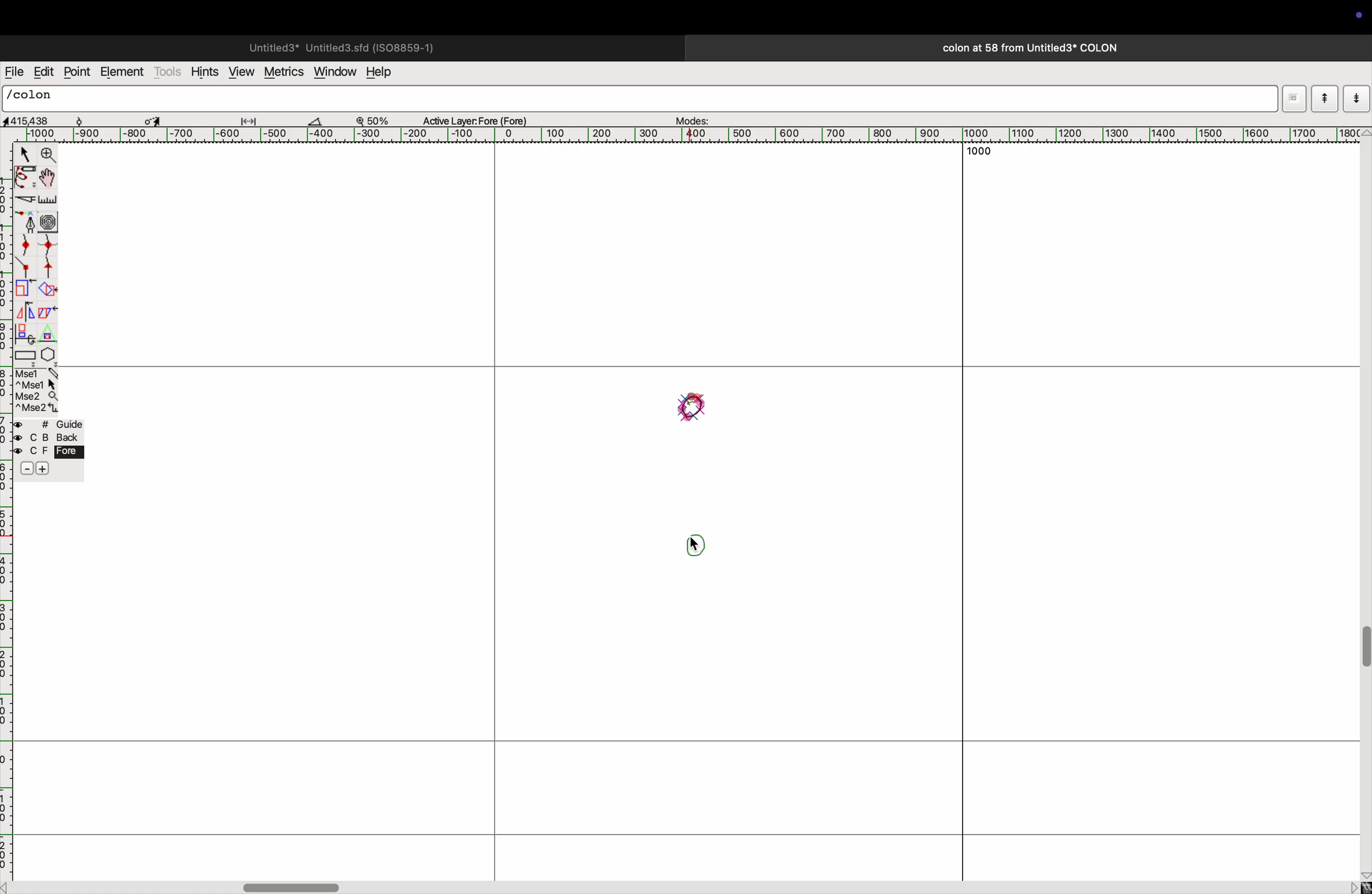 The image size is (1372, 894). I want to click on untitled page, so click(340, 46).